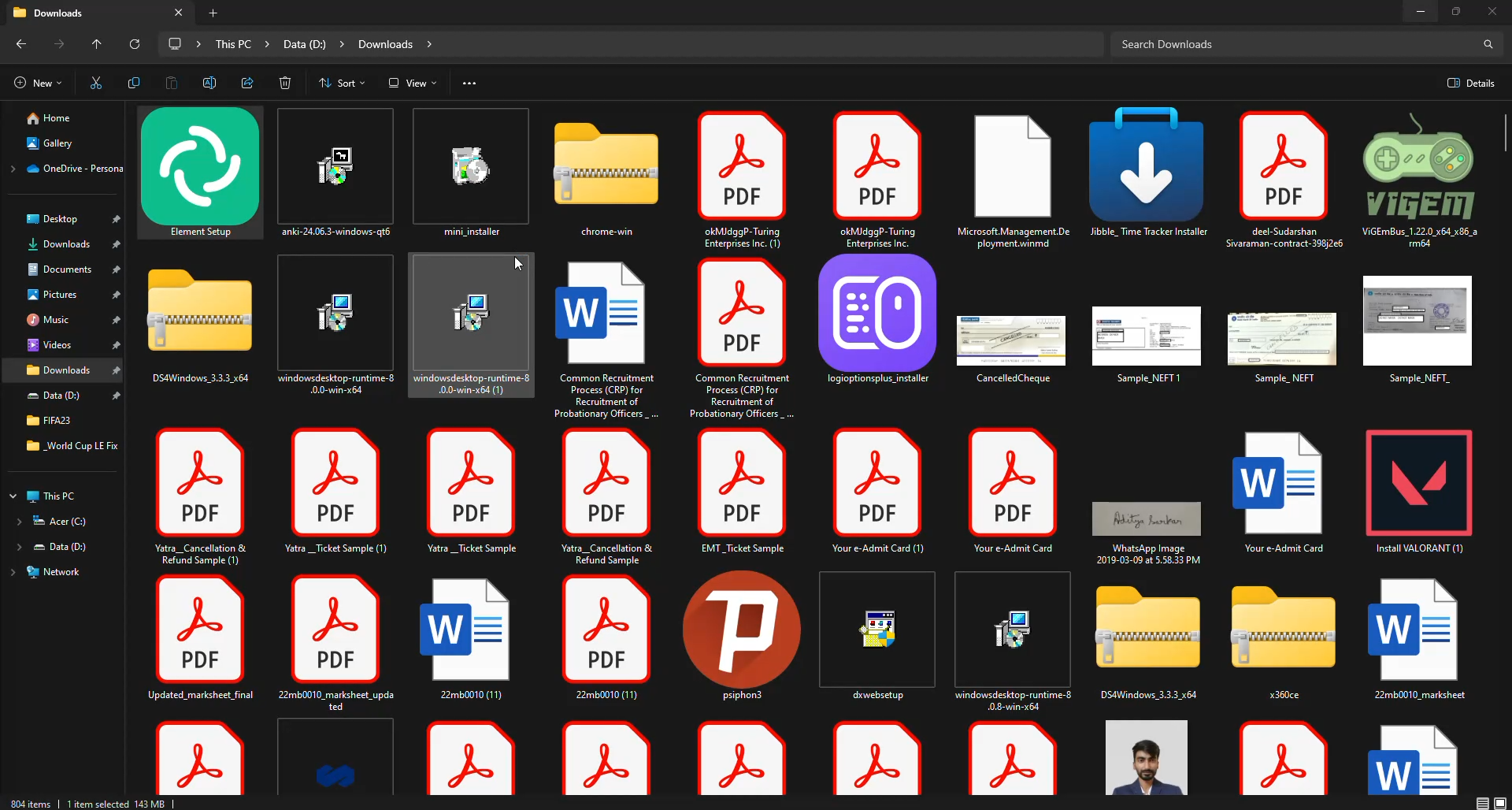 This screenshot has height=810, width=1512. Describe the element at coordinates (1413, 759) in the screenshot. I see `file` at that location.